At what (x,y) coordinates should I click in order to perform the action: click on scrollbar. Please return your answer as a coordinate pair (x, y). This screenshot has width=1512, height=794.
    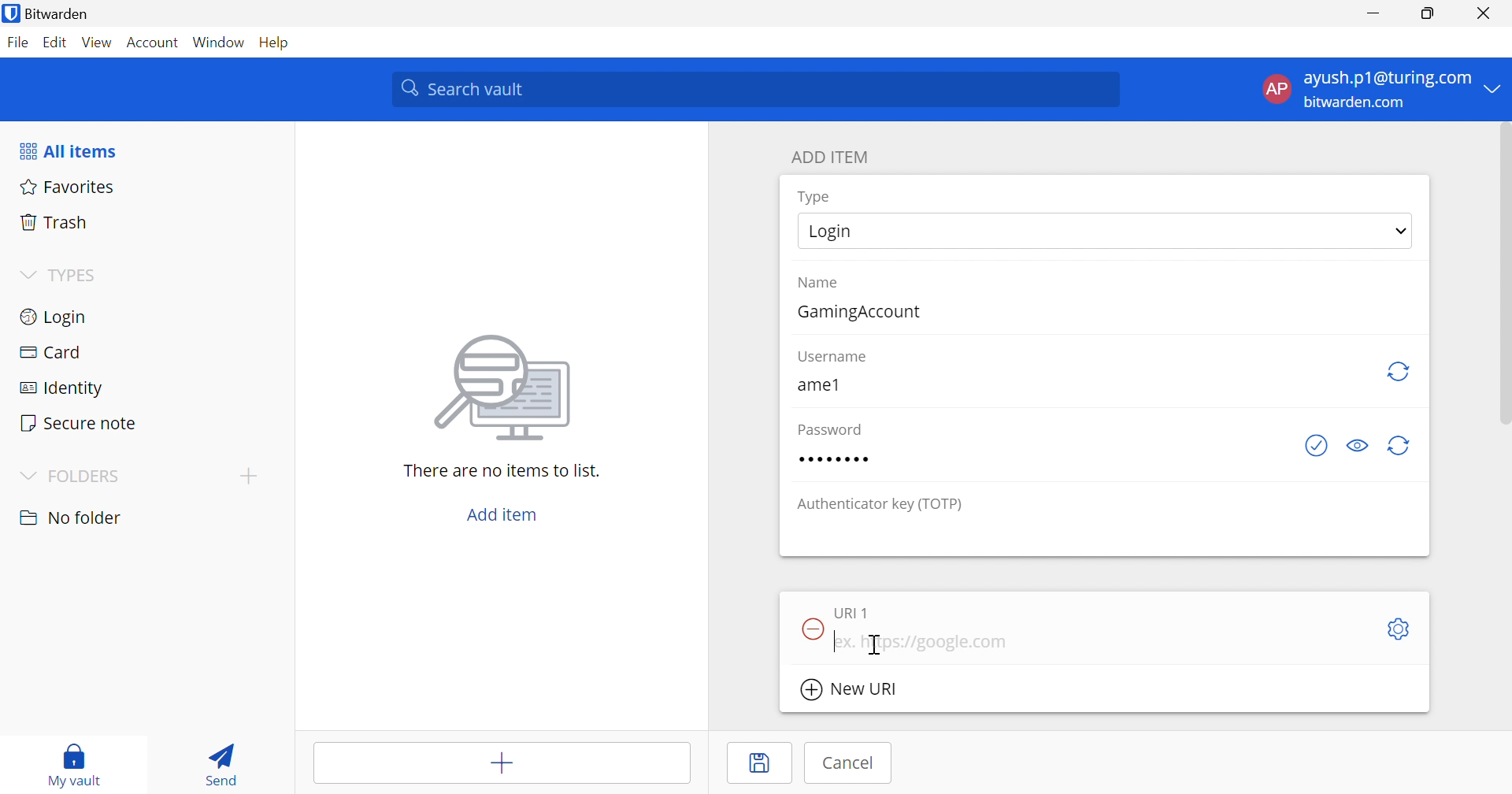
    Looking at the image, I should click on (1501, 281).